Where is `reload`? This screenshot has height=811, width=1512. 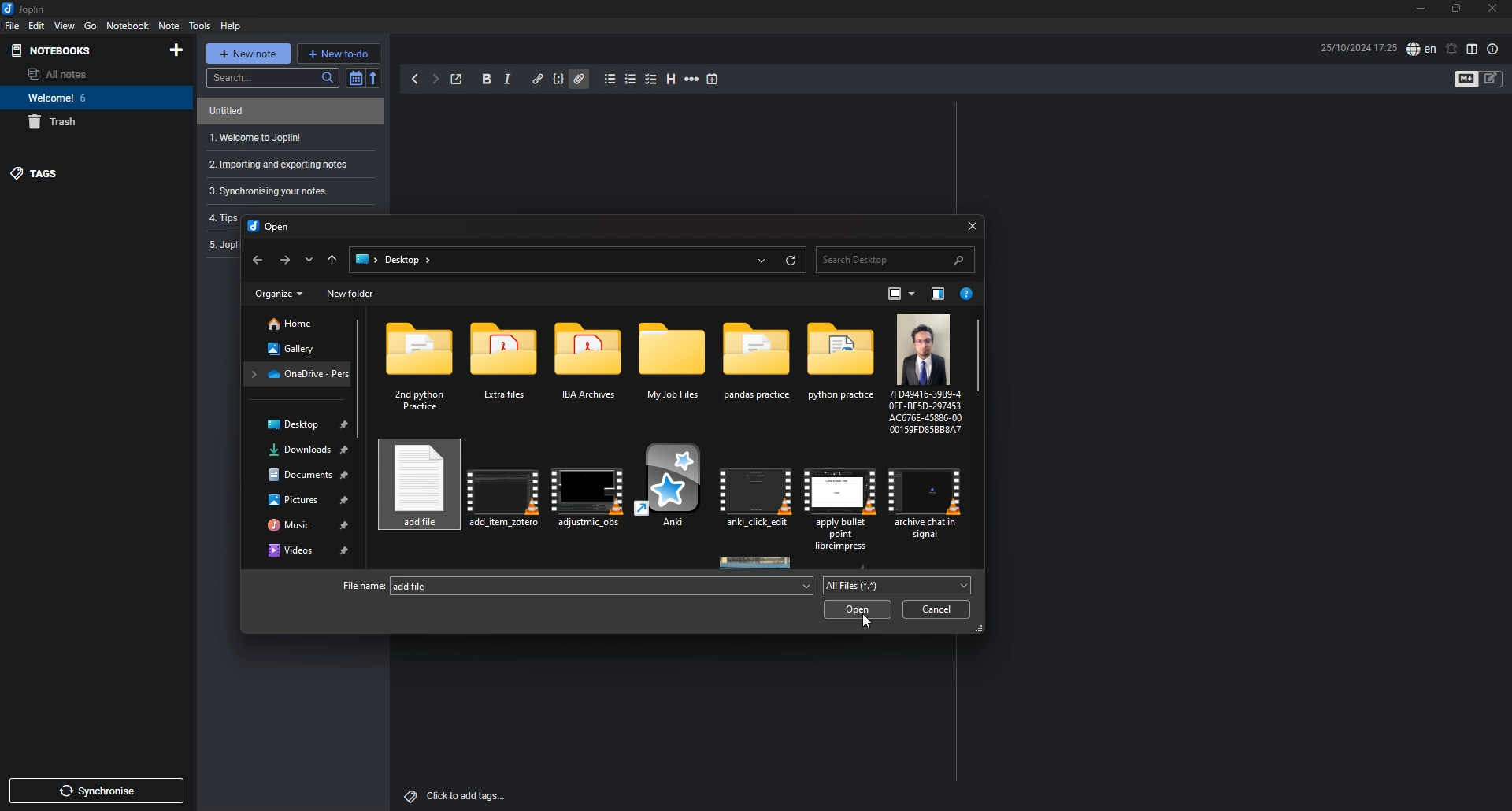
reload is located at coordinates (790, 261).